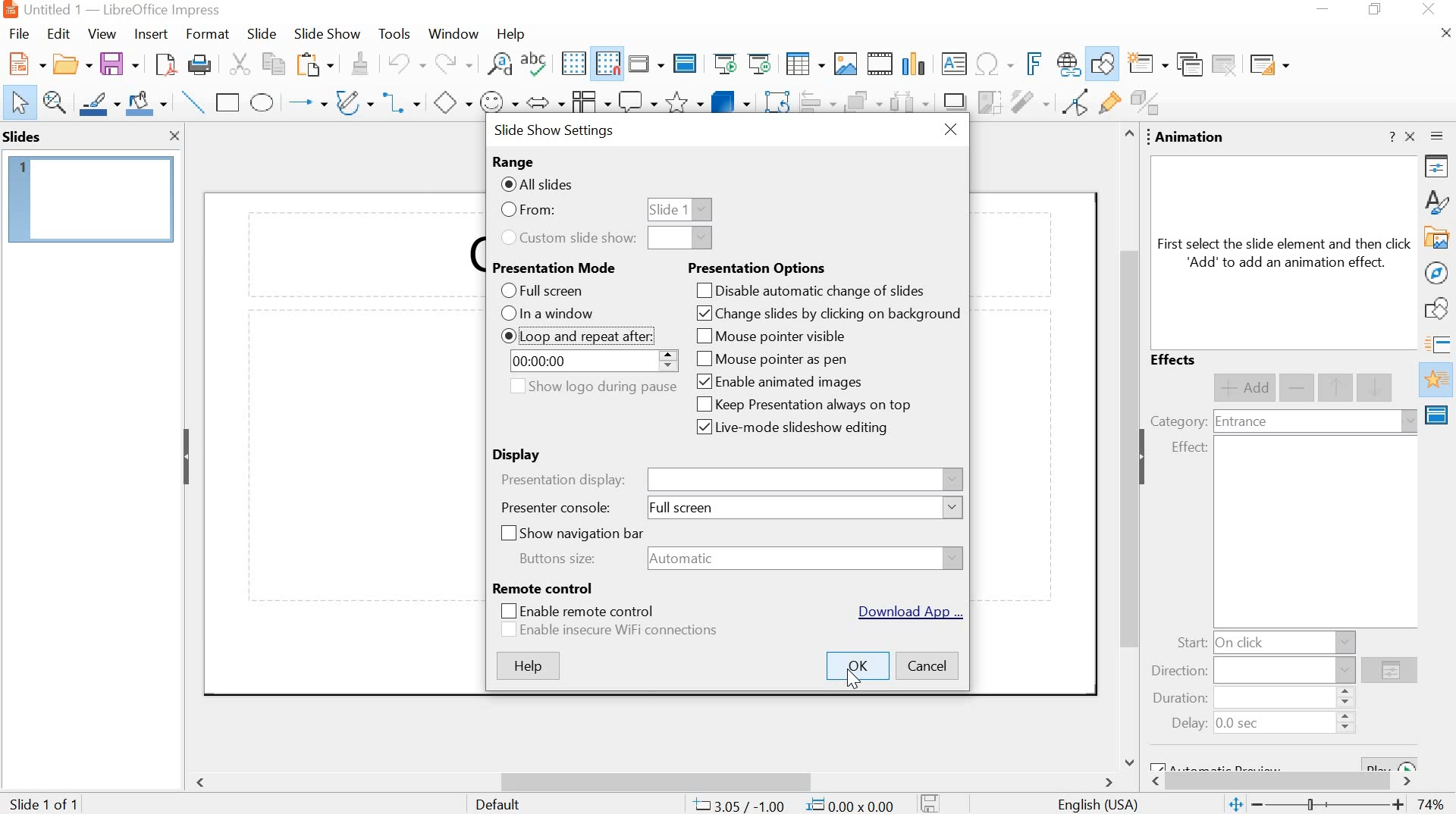 The width and height of the screenshot is (1456, 814). I want to click on delay, so click(1189, 724).